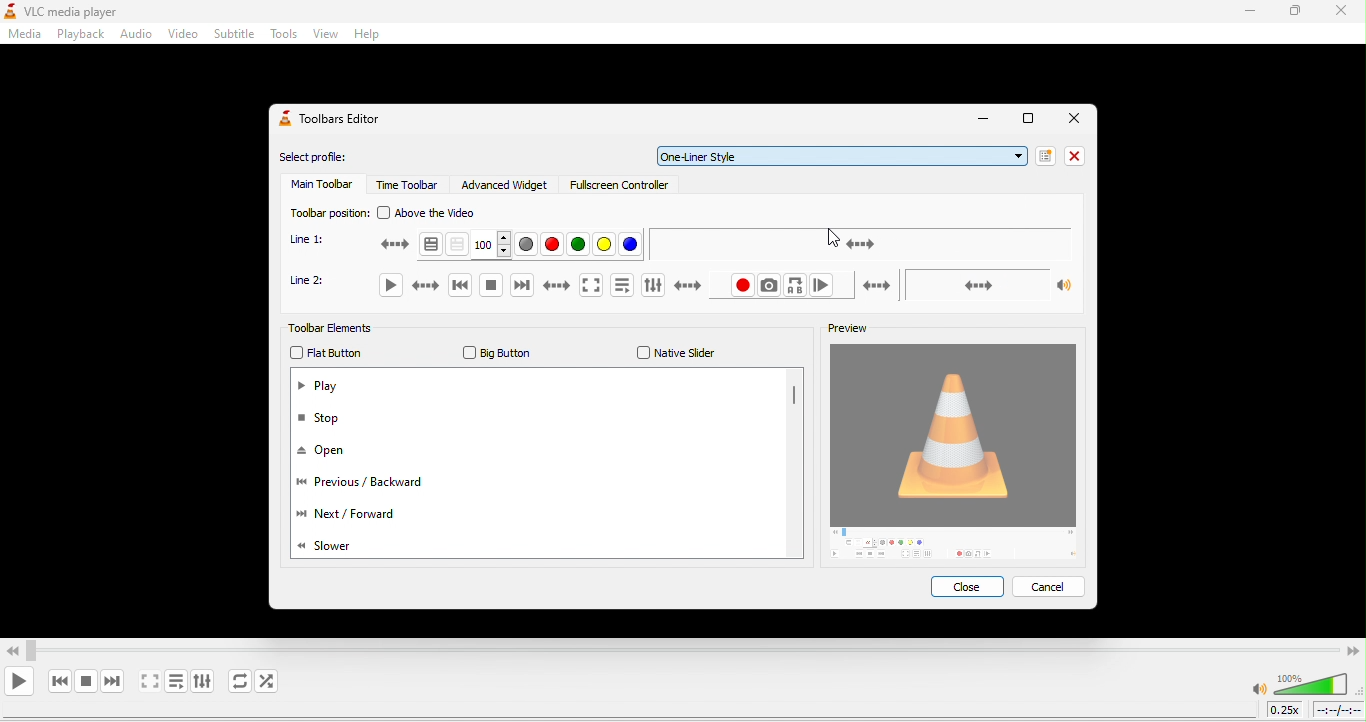 This screenshot has width=1366, height=722. Describe the element at coordinates (678, 353) in the screenshot. I see `native slider` at that location.